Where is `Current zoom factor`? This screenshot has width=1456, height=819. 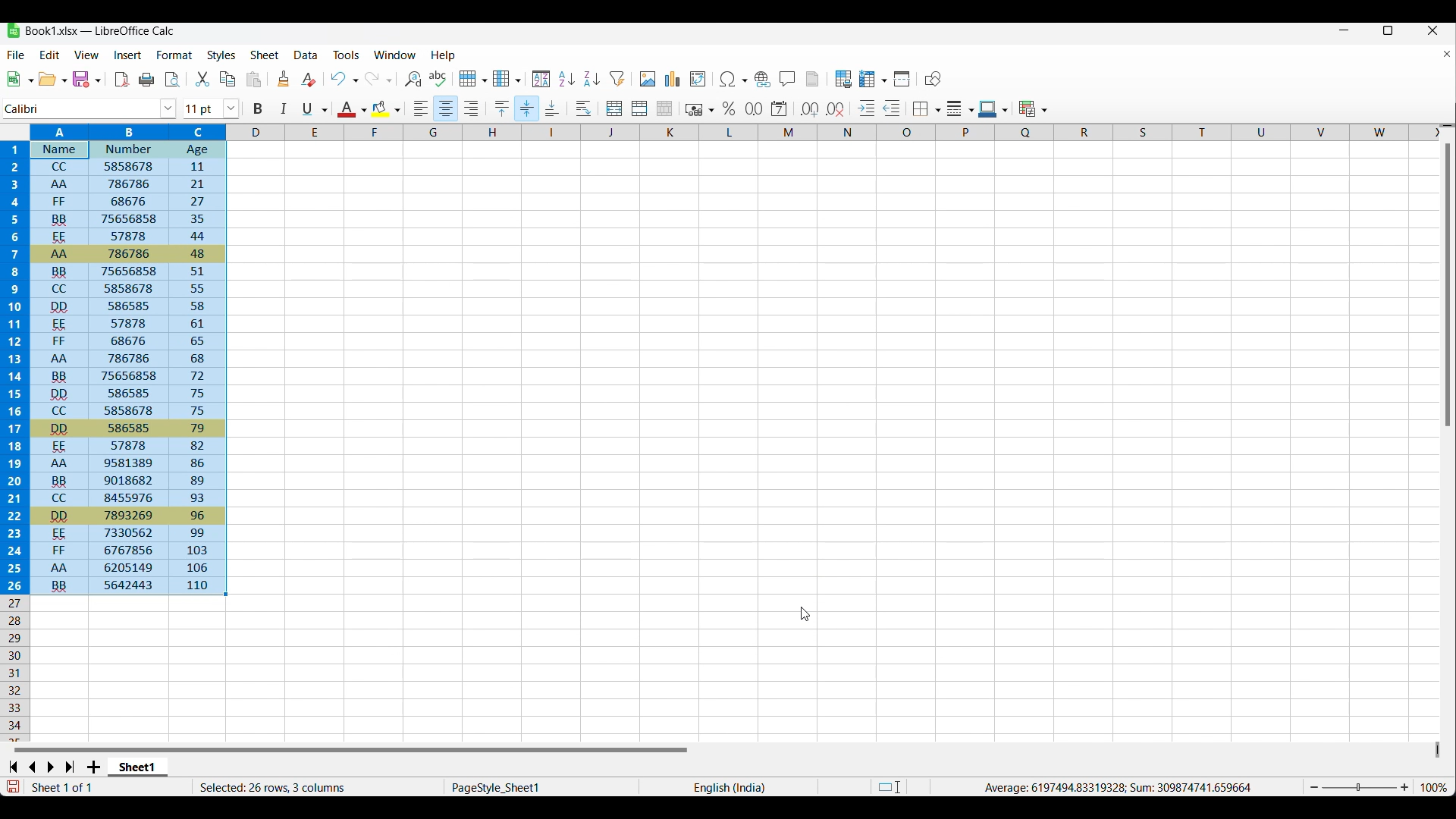
Current zoom factor is located at coordinates (1434, 787).